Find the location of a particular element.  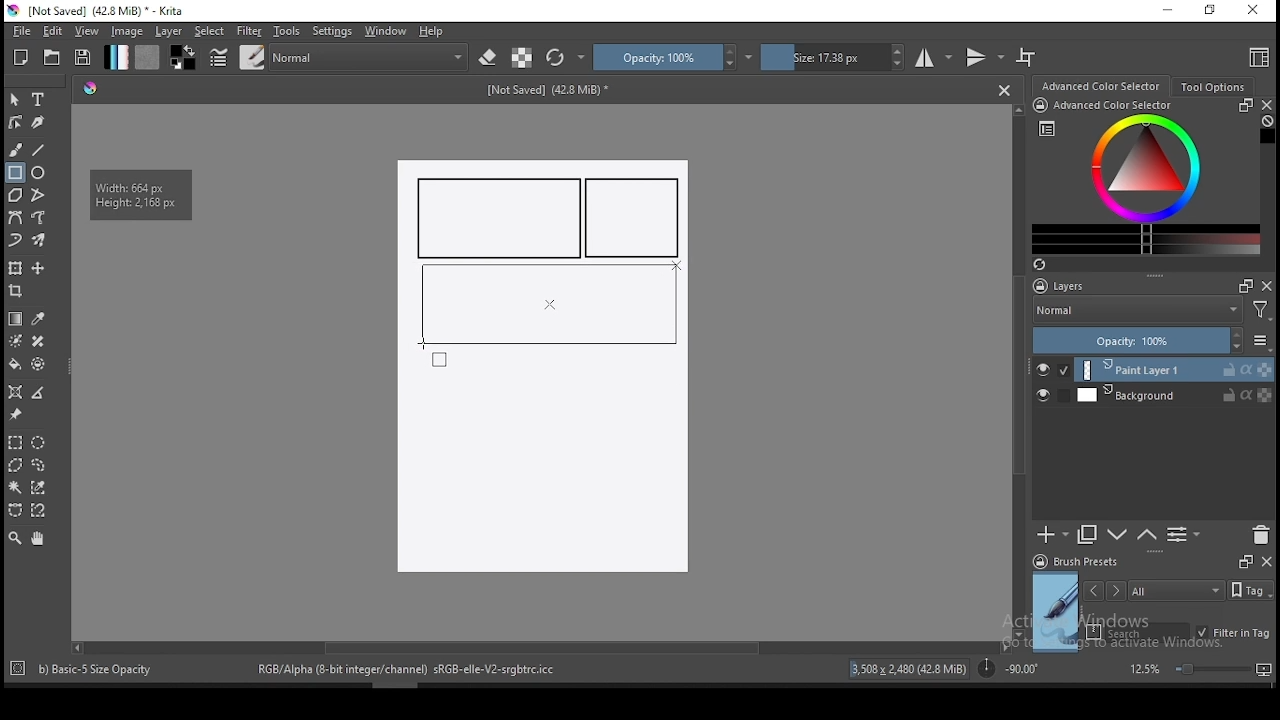

gradient fill is located at coordinates (116, 57).